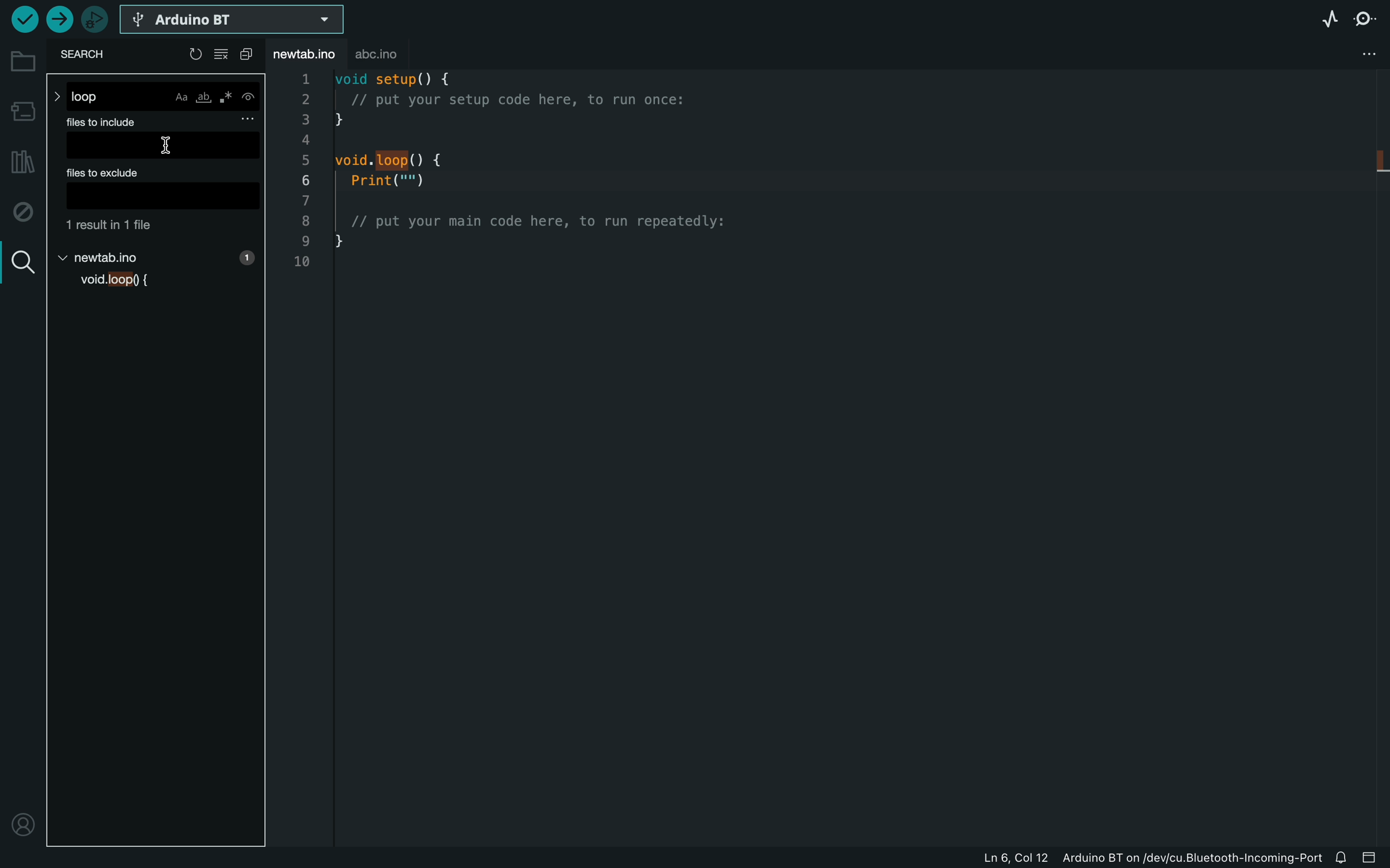 The height and width of the screenshot is (868, 1390). What do you see at coordinates (163, 144) in the screenshot?
I see `input field` at bounding box center [163, 144].